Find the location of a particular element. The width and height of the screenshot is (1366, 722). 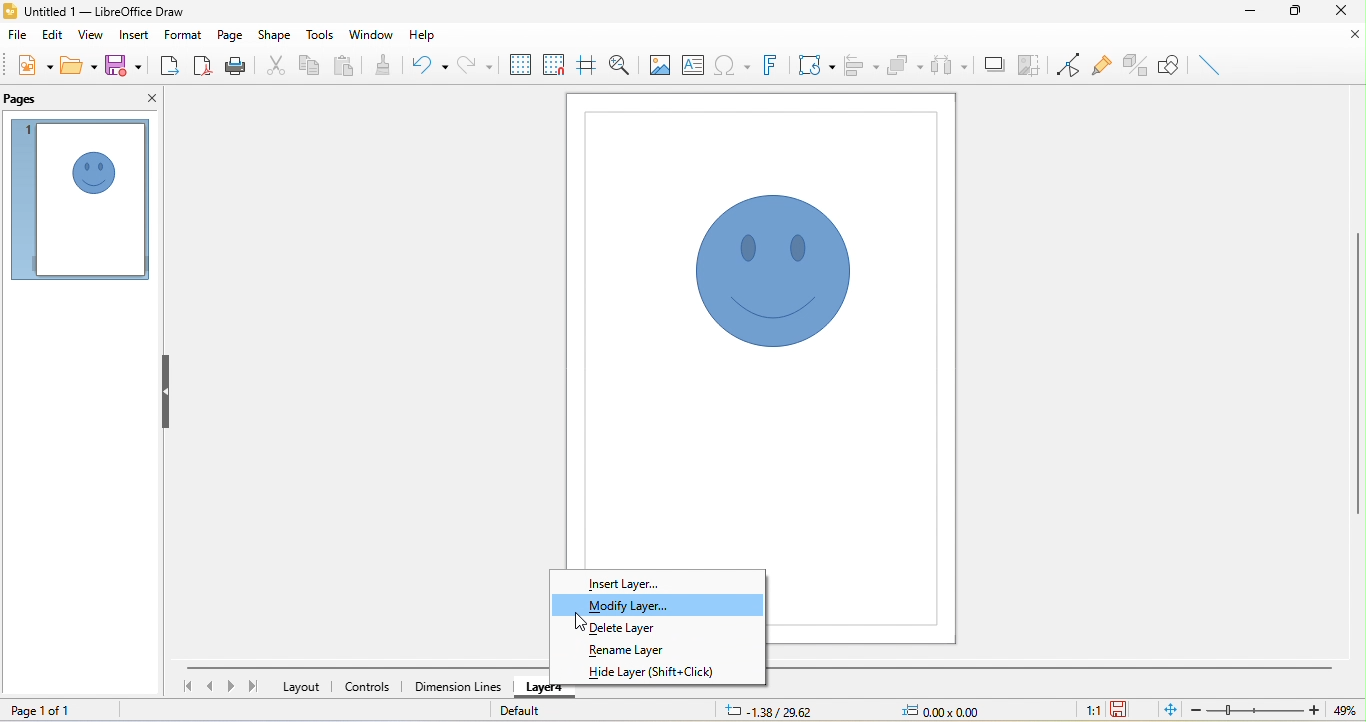

helpline while moving is located at coordinates (586, 65).